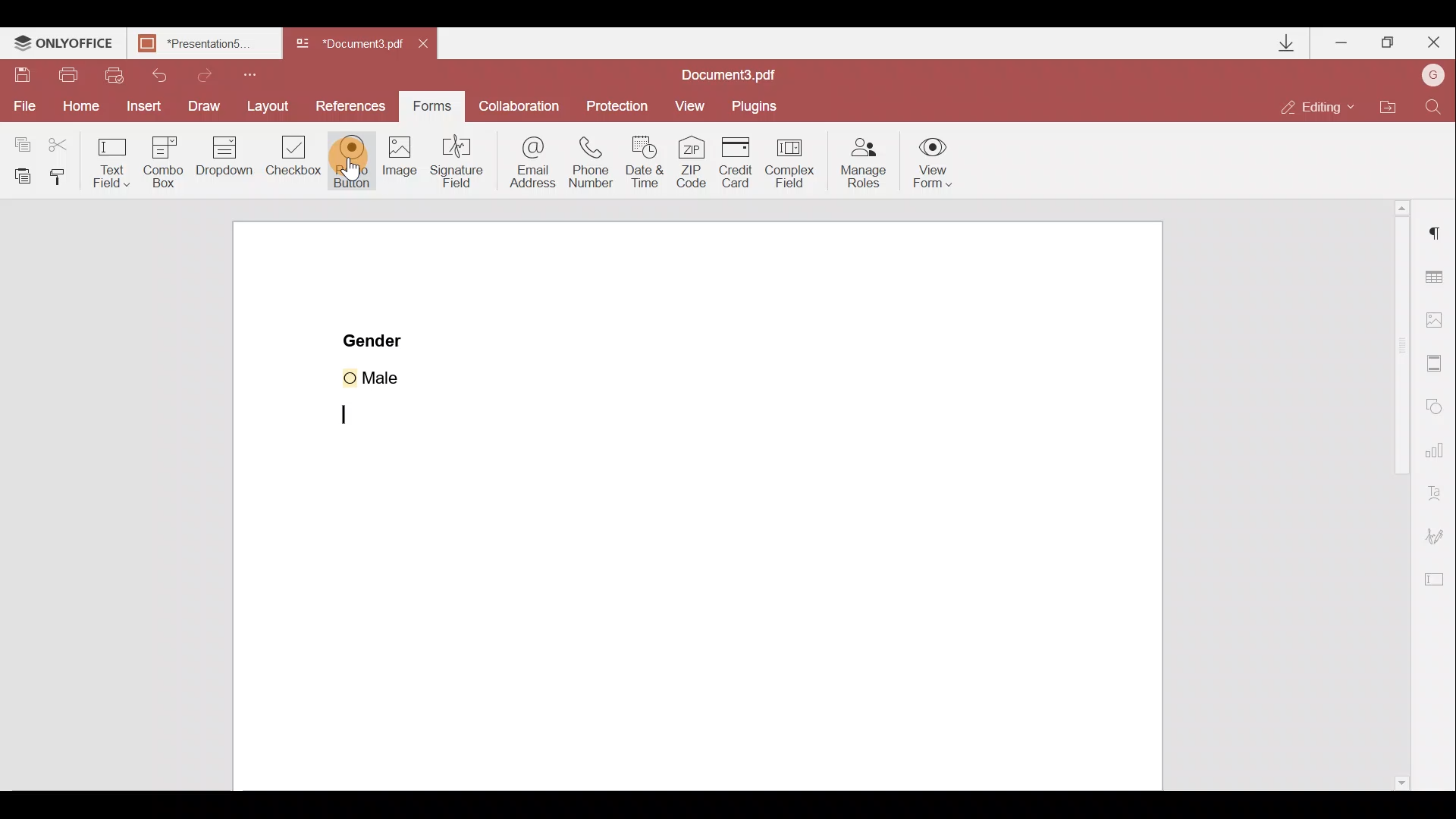 Image resolution: width=1456 pixels, height=819 pixels. What do you see at coordinates (859, 162) in the screenshot?
I see `Manage roles` at bounding box center [859, 162].